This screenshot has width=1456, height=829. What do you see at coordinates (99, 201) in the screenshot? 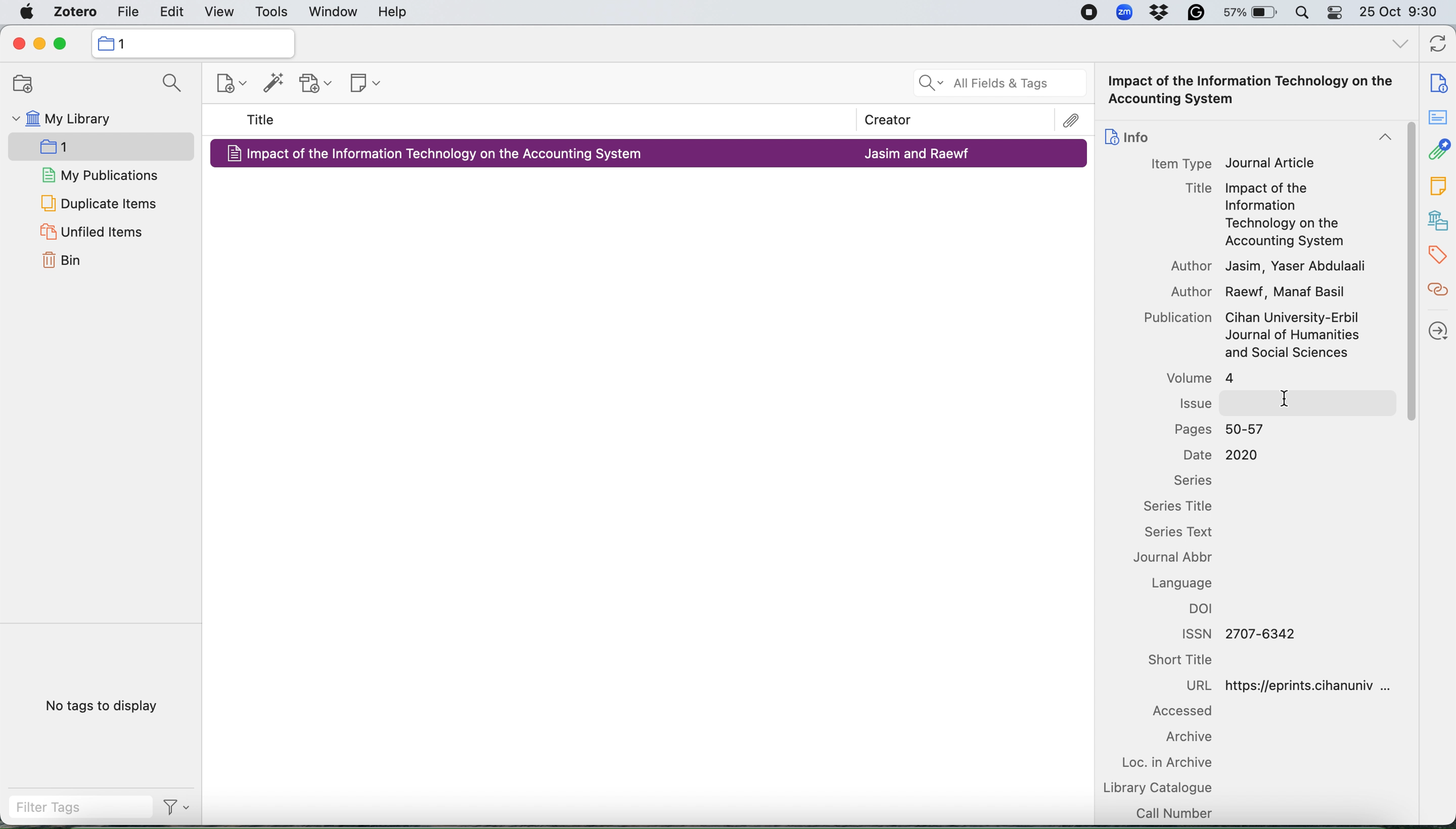
I see `duplicate items` at bounding box center [99, 201].